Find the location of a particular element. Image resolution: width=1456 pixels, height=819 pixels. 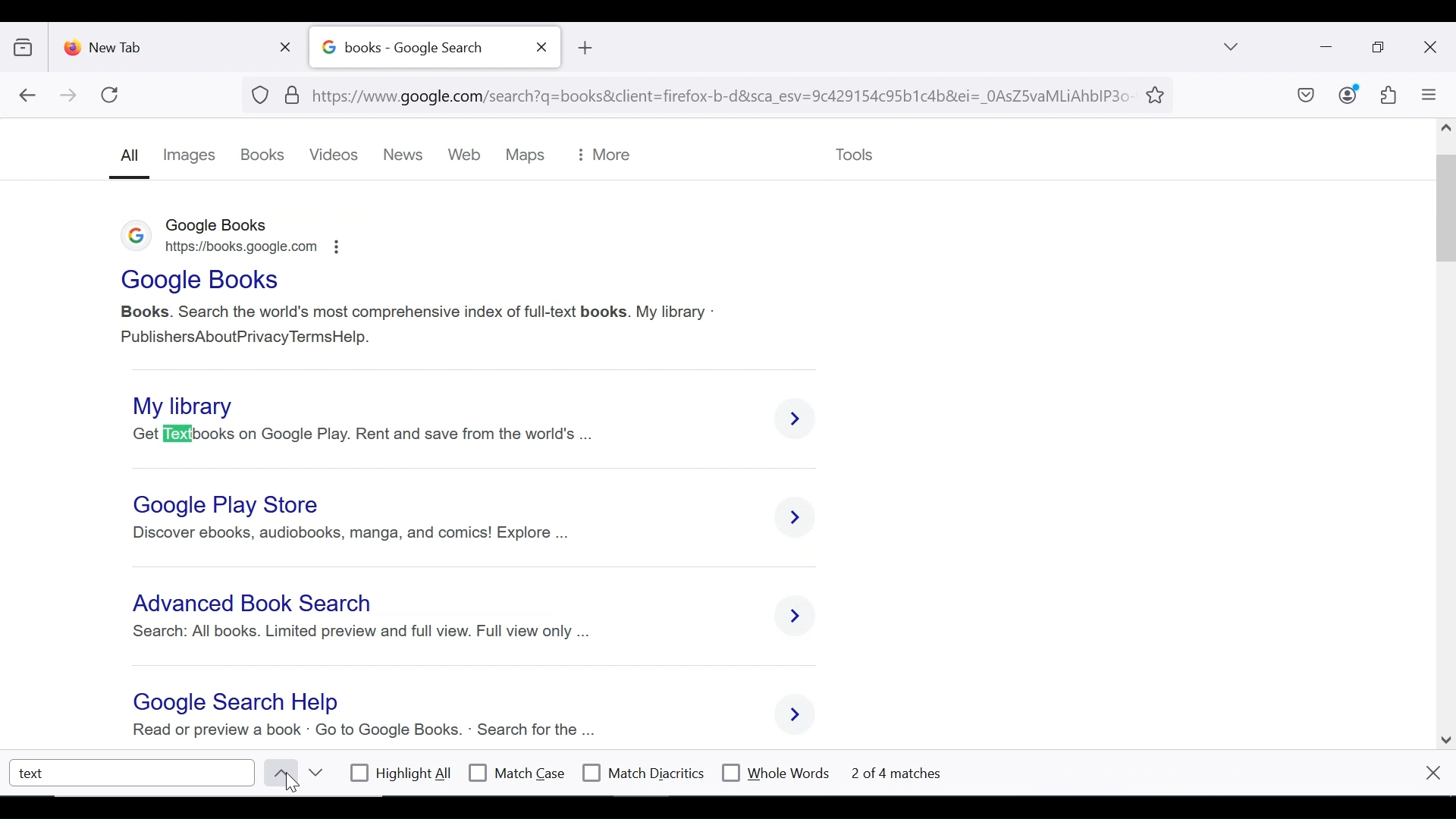

mouse pointer is located at coordinates (297, 785).